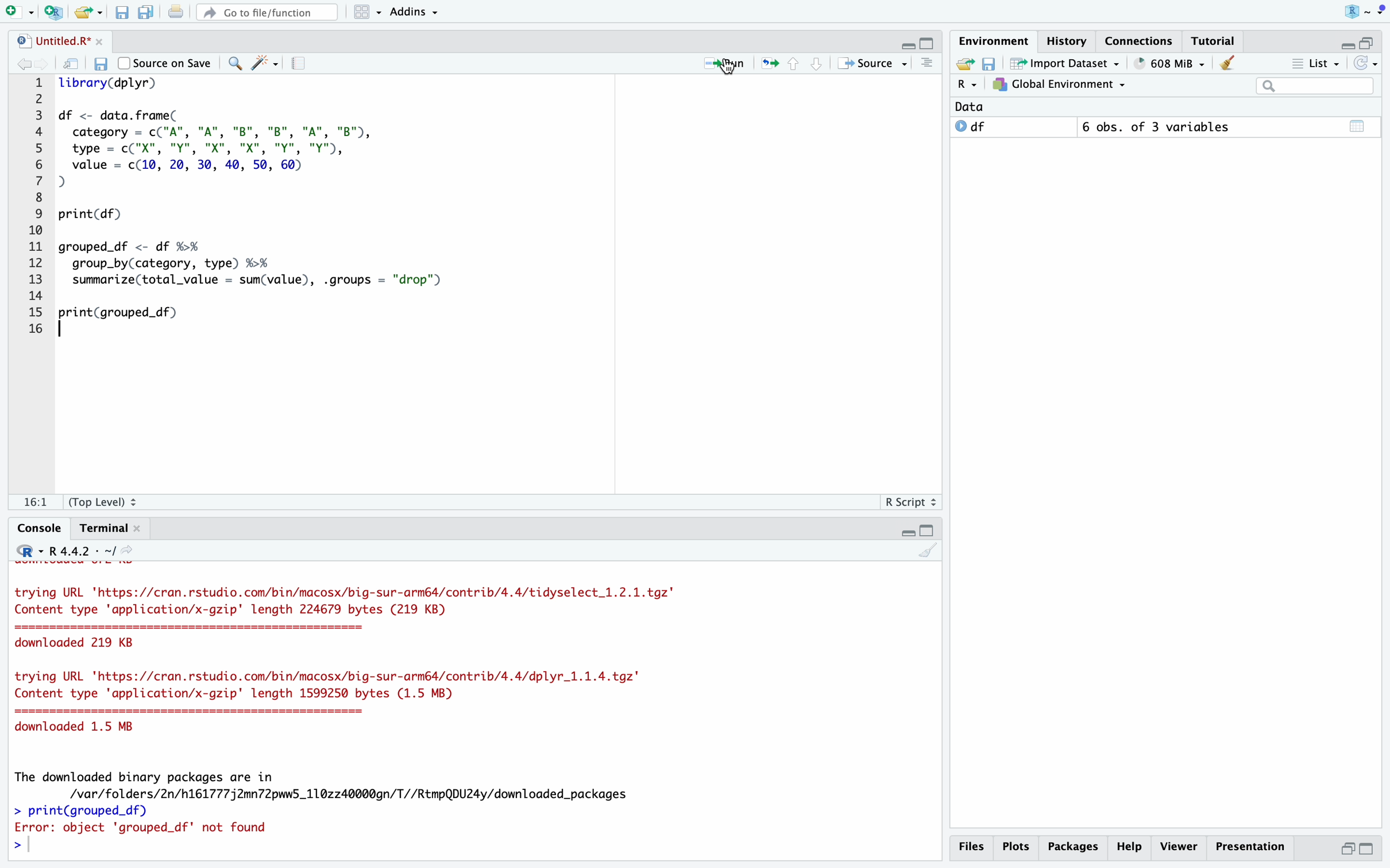  Describe the element at coordinates (1365, 63) in the screenshot. I see `Refresh list` at that location.